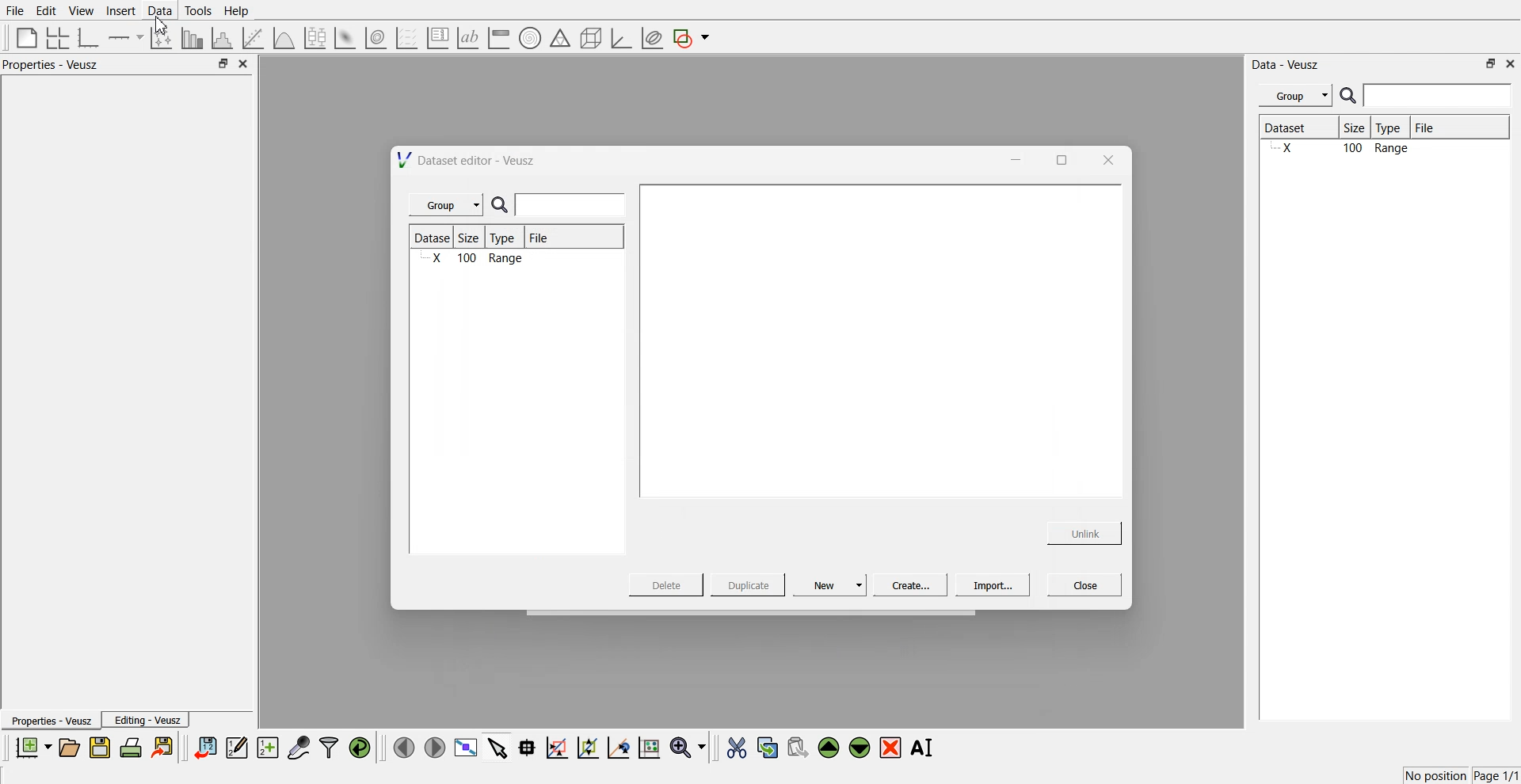 This screenshot has width=1521, height=784. I want to click on Dataset, so click(1298, 129).